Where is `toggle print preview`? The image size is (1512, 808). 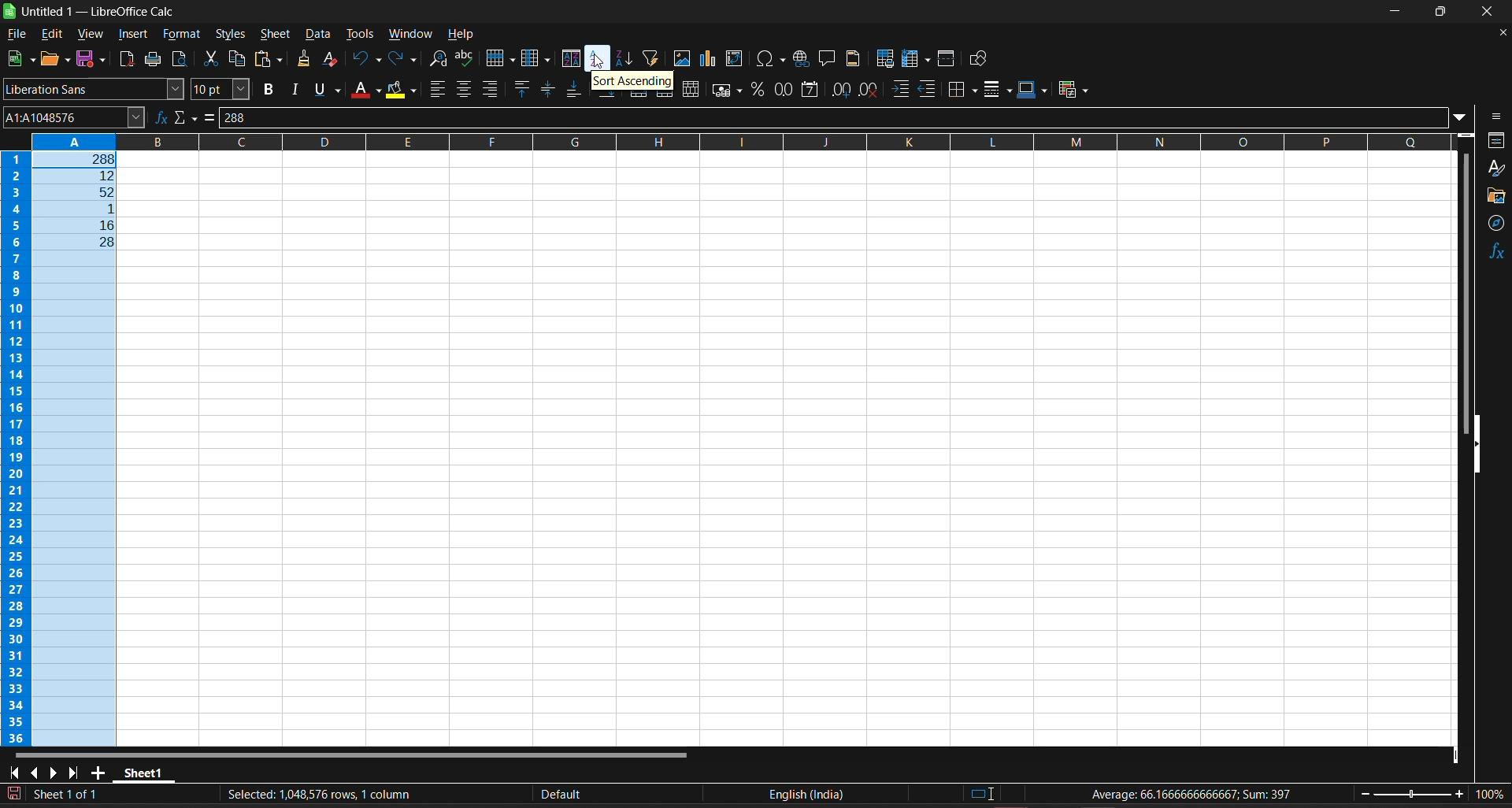
toggle print preview is located at coordinates (180, 58).